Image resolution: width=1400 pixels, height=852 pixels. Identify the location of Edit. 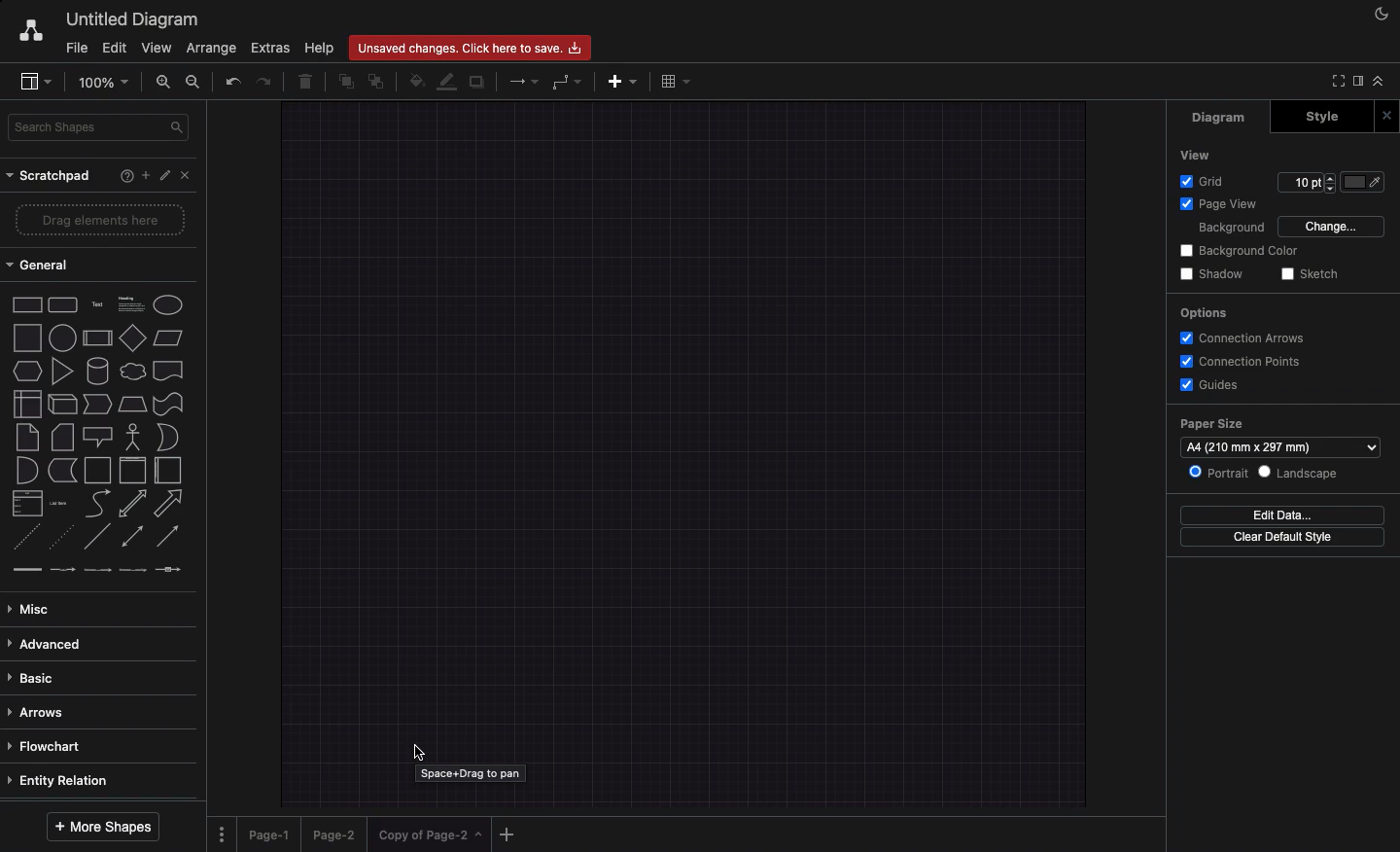
(164, 175).